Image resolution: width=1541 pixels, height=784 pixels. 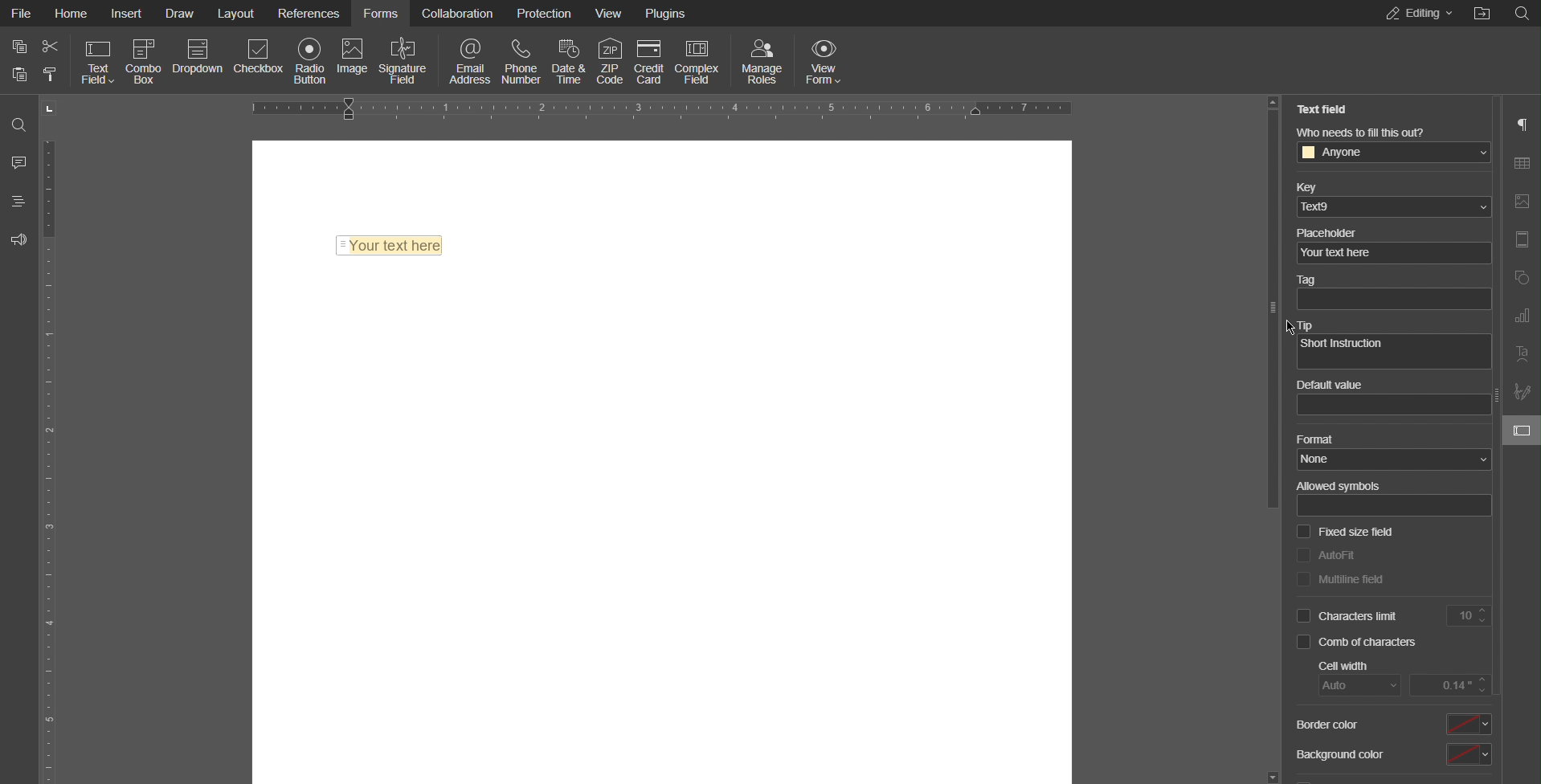 I want to click on Cell Width, so click(x=1341, y=665).